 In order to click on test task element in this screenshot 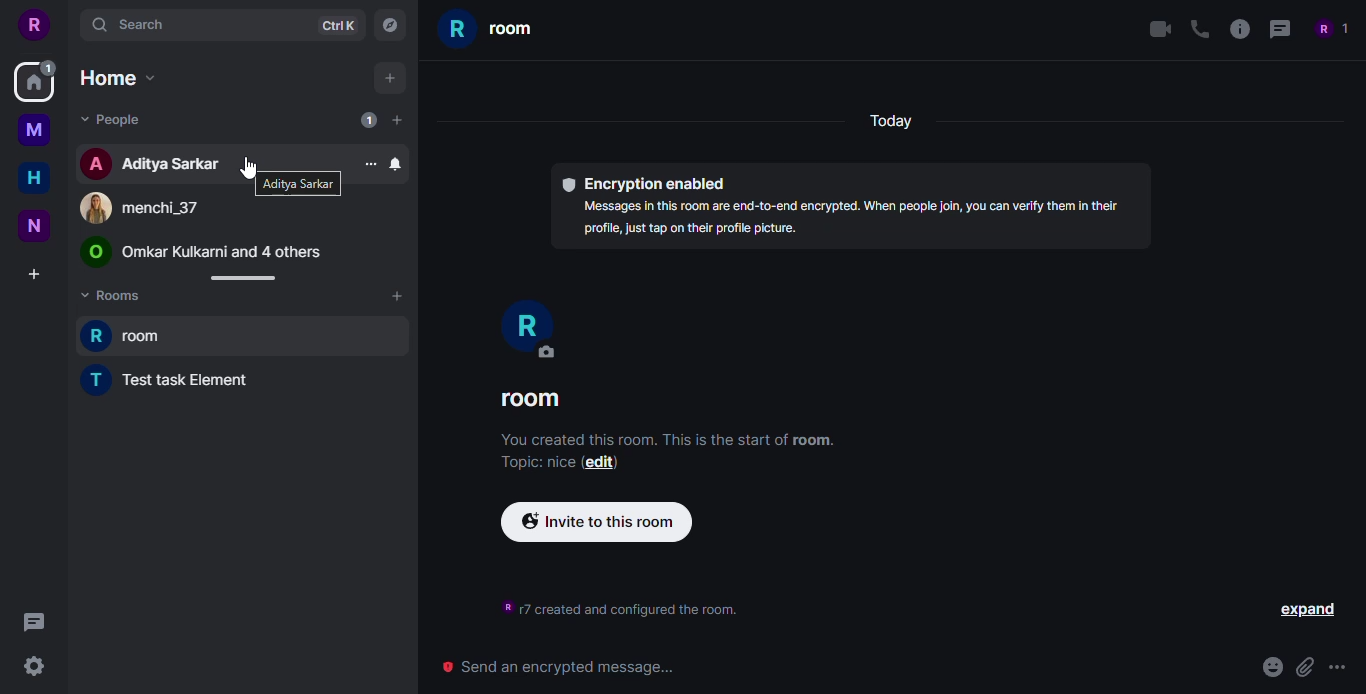, I will do `click(173, 378)`.